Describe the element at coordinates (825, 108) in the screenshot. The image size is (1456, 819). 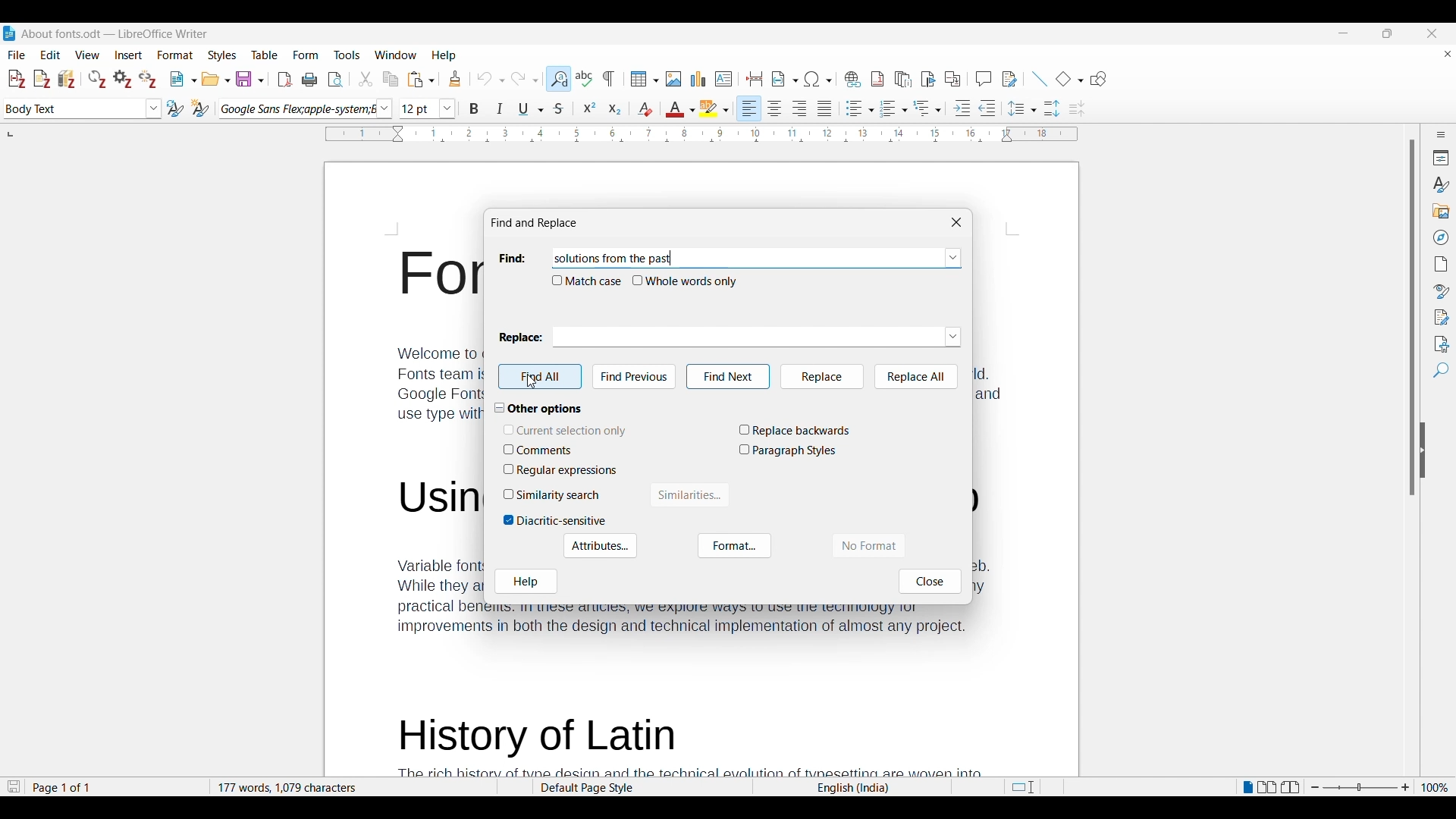
I see `Align justified` at that location.